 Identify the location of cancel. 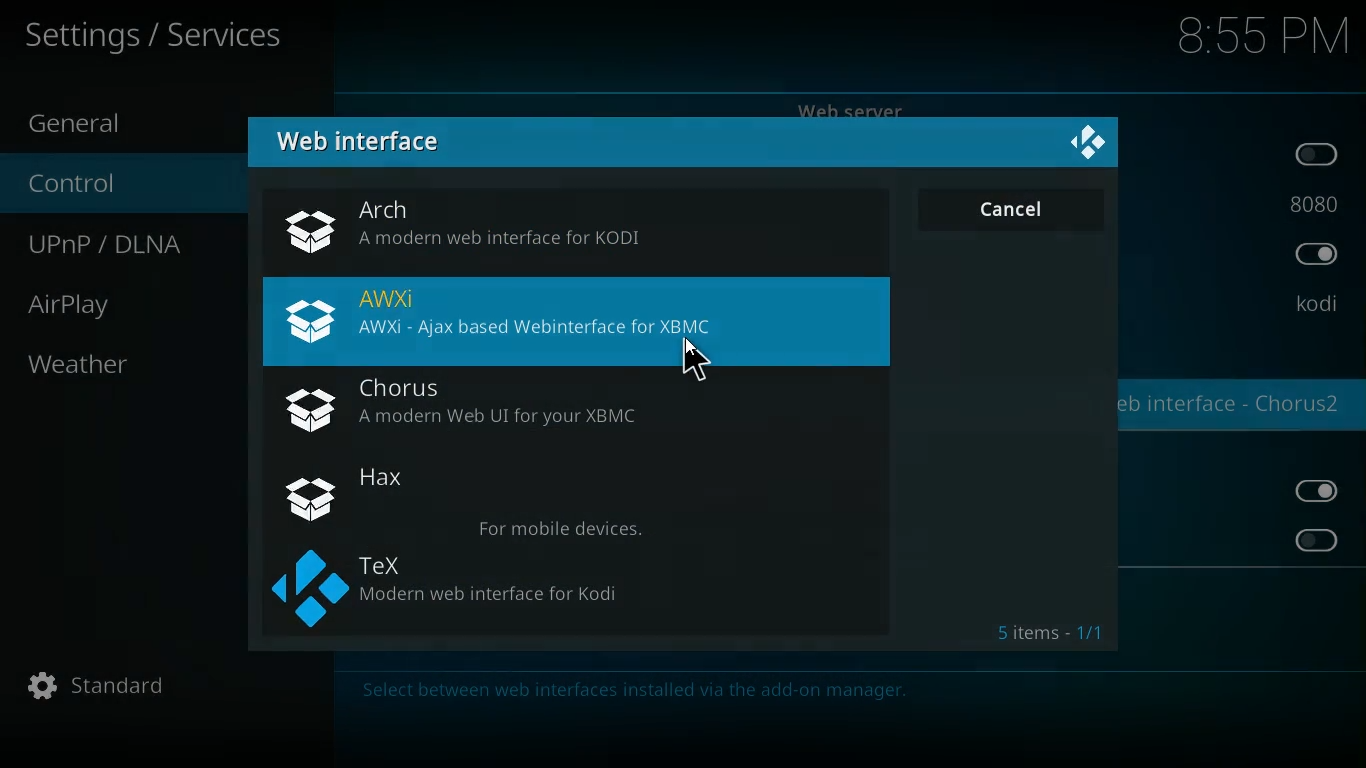
(1010, 208).